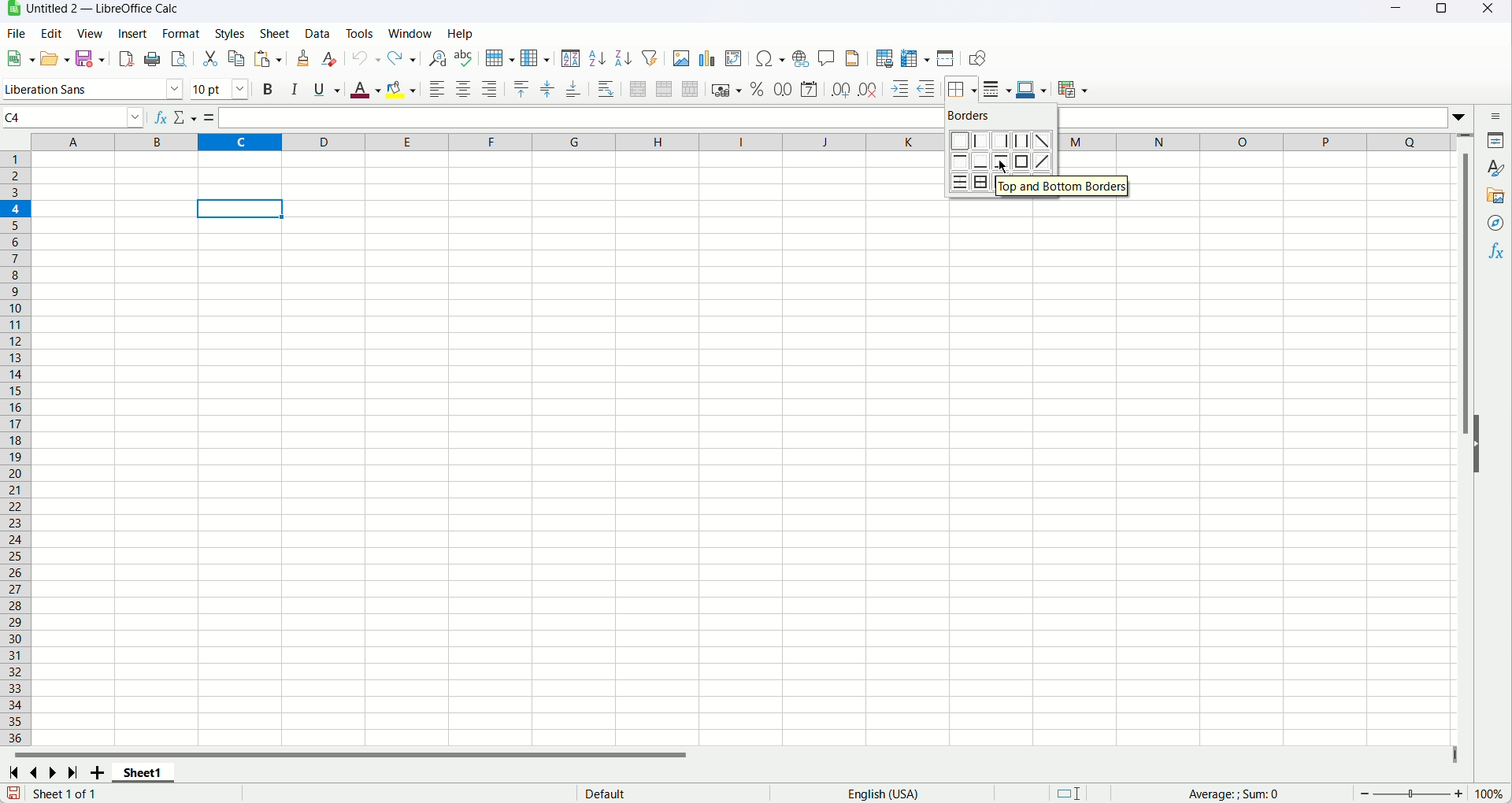 The height and width of the screenshot is (803, 1512). Describe the element at coordinates (465, 90) in the screenshot. I see `Align center` at that location.